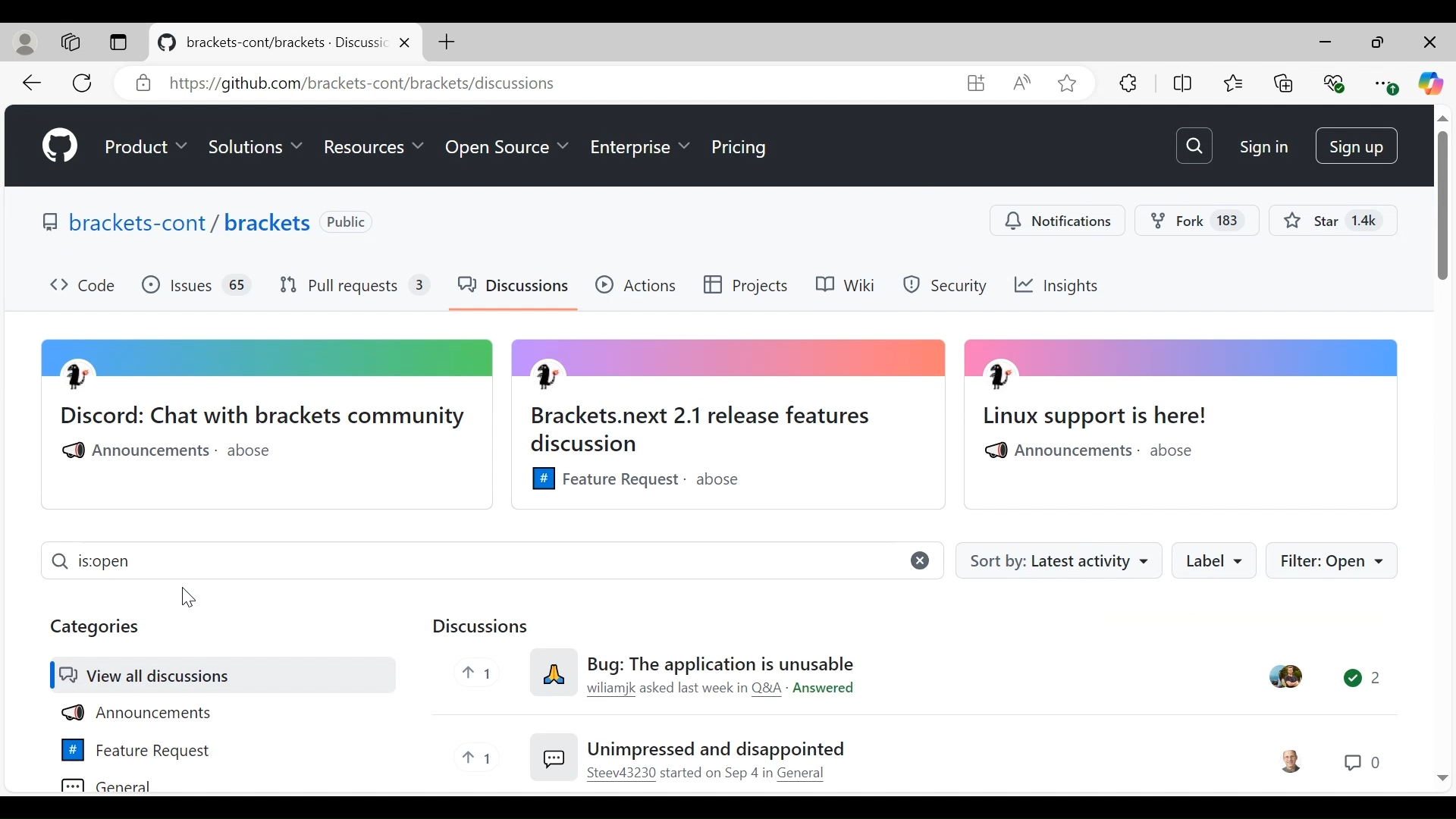 The width and height of the screenshot is (1456, 819). Describe the element at coordinates (925, 560) in the screenshot. I see `close` at that location.